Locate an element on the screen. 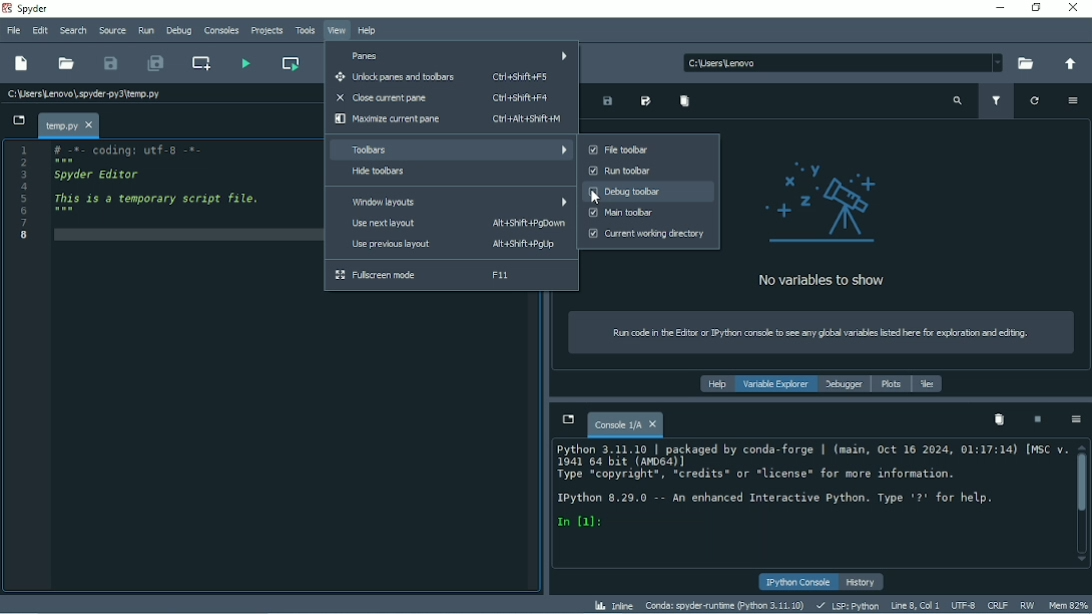  Browse a working directory is located at coordinates (1022, 64).